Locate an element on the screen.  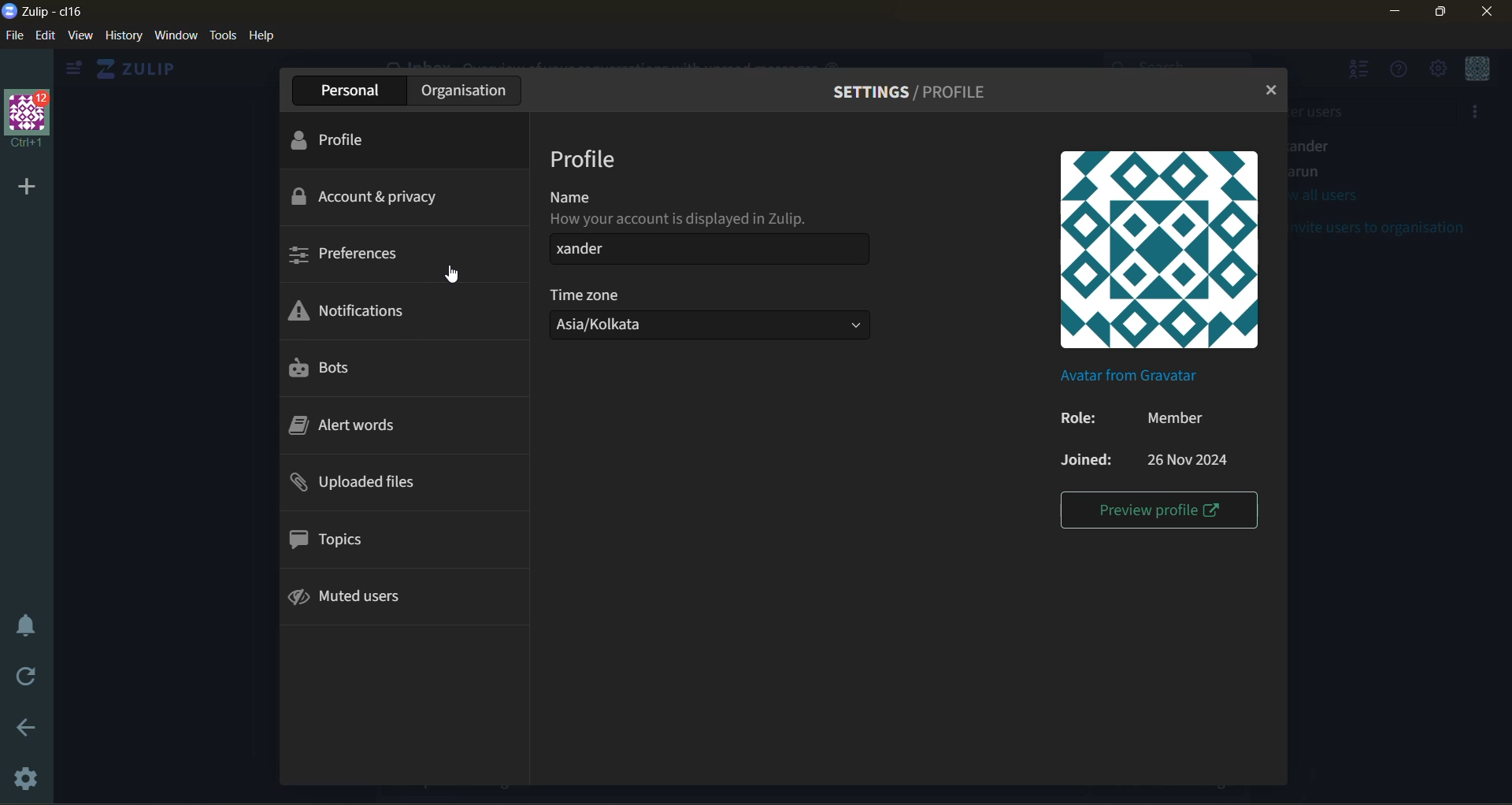
personal is located at coordinates (352, 90).